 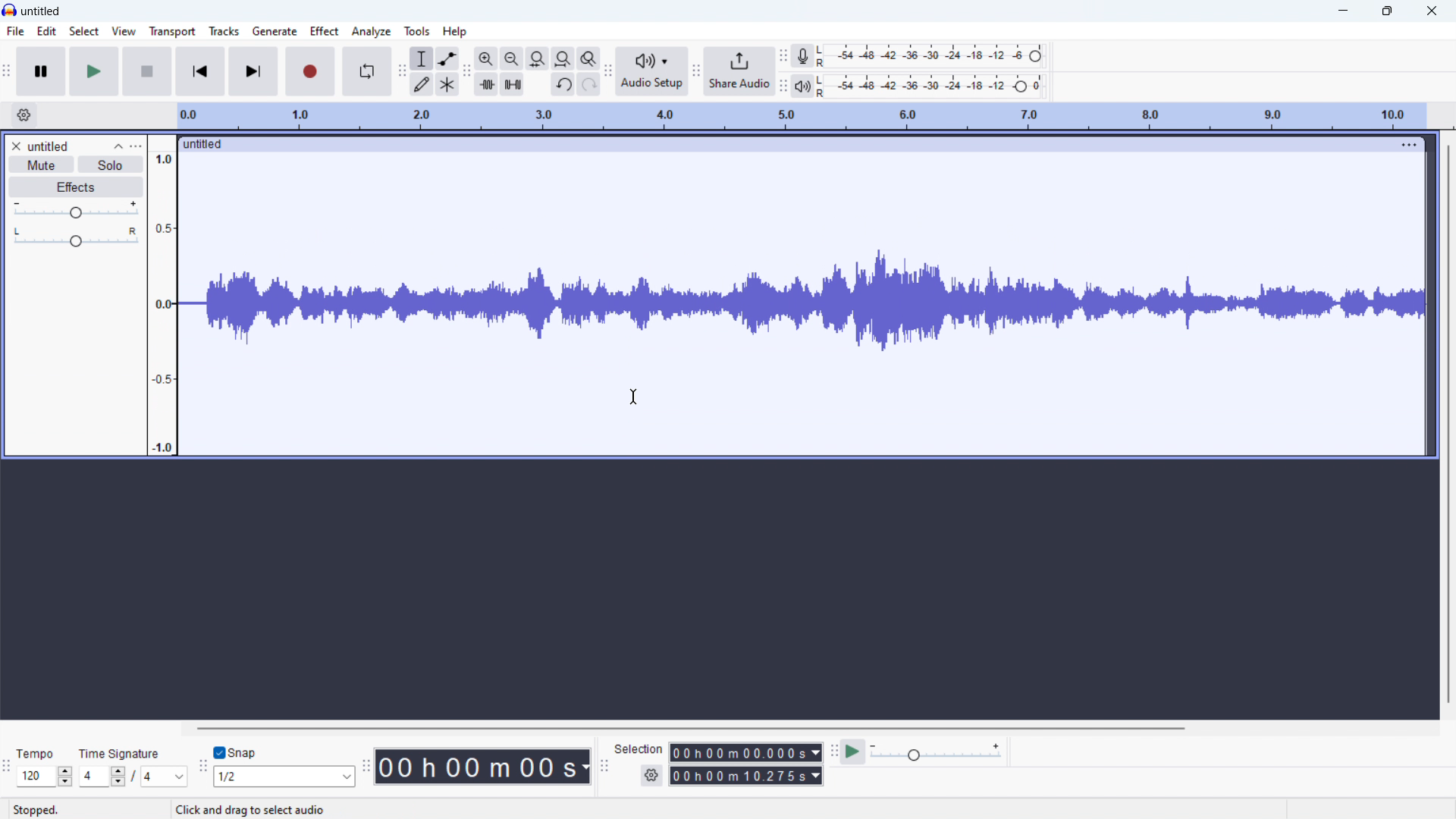 I want to click on record, so click(x=309, y=71).